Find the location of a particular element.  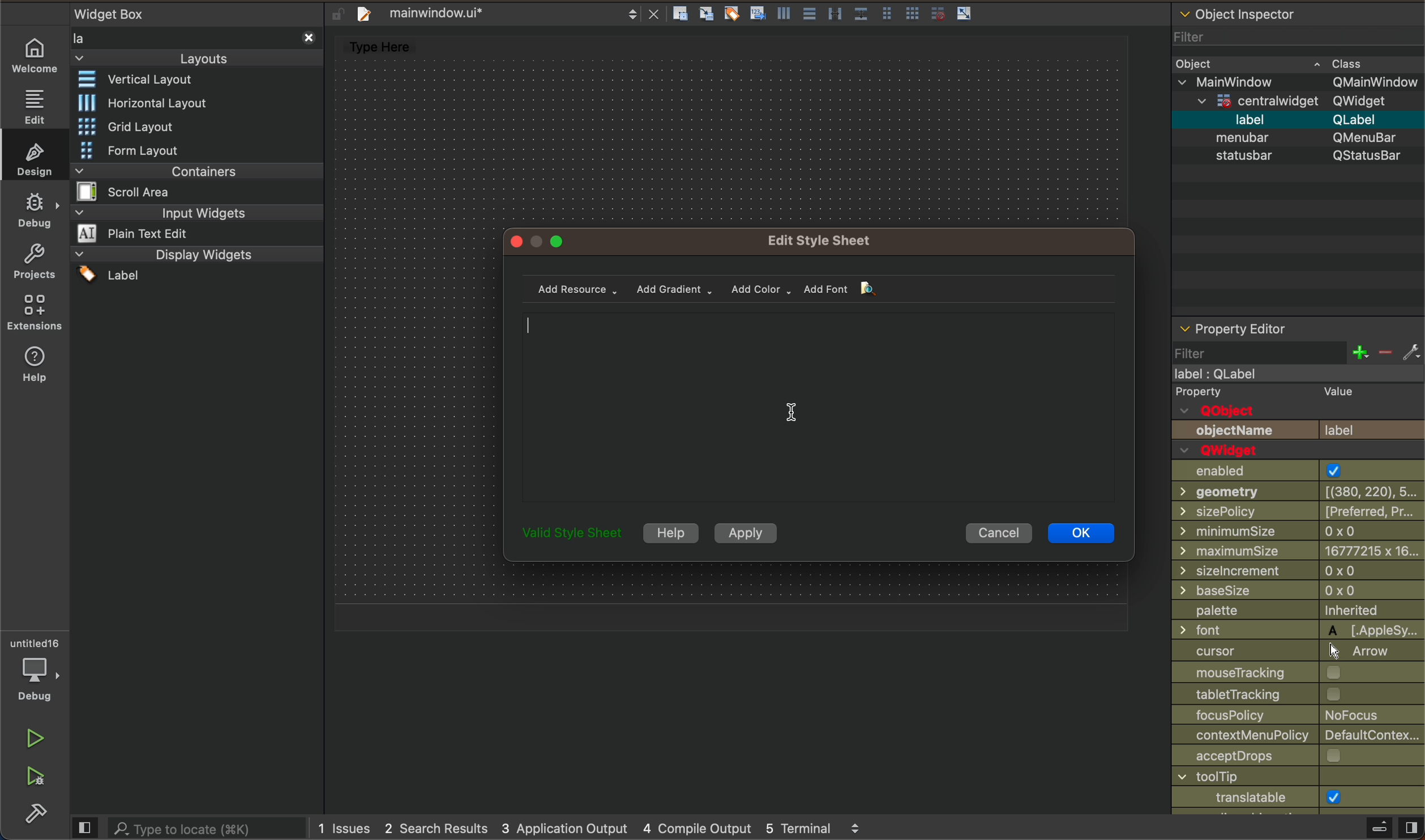

projects is located at coordinates (37, 265).